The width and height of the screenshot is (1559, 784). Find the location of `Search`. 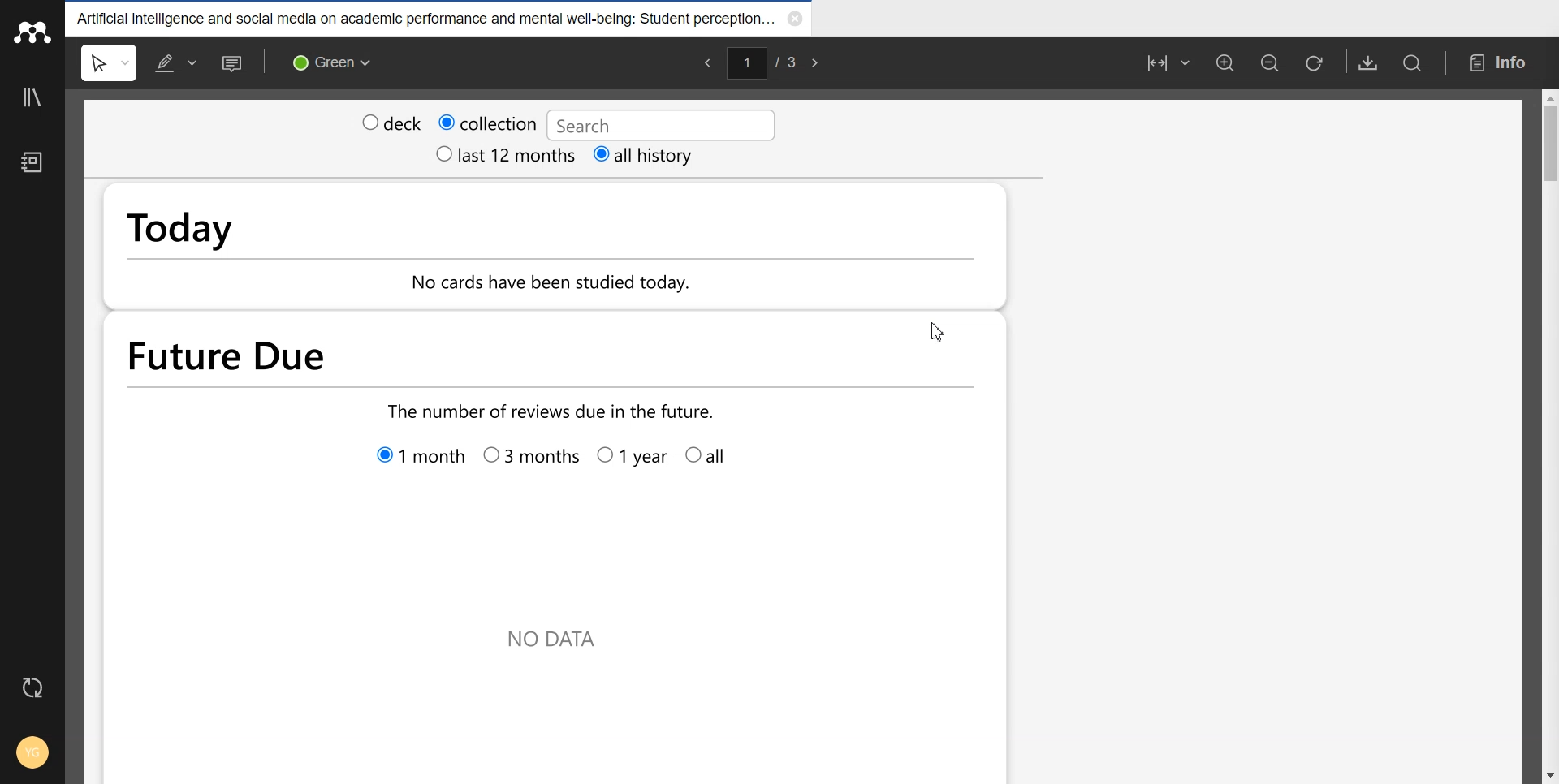

Search is located at coordinates (1417, 63).